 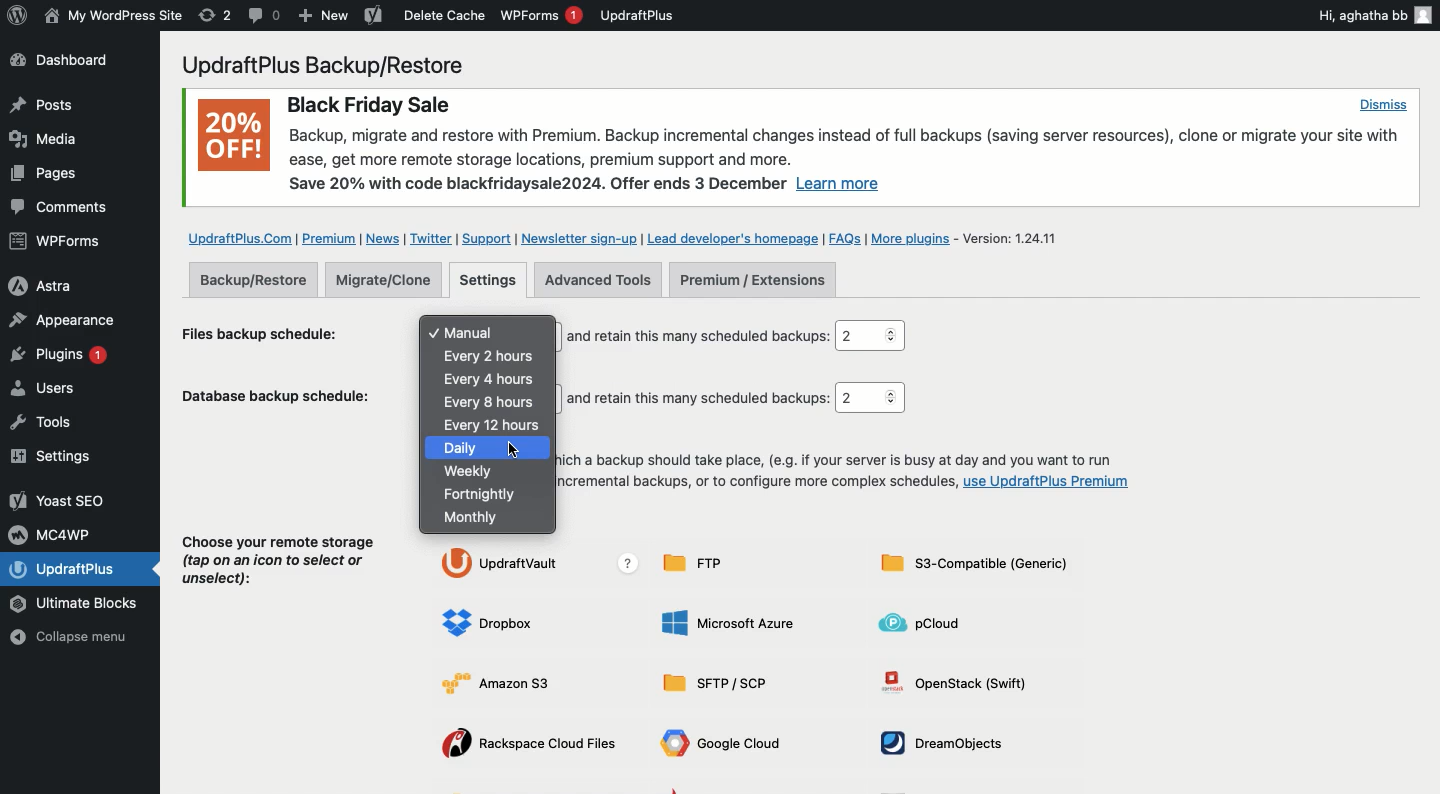 What do you see at coordinates (701, 563) in the screenshot?
I see `FTP` at bounding box center [701, 563].